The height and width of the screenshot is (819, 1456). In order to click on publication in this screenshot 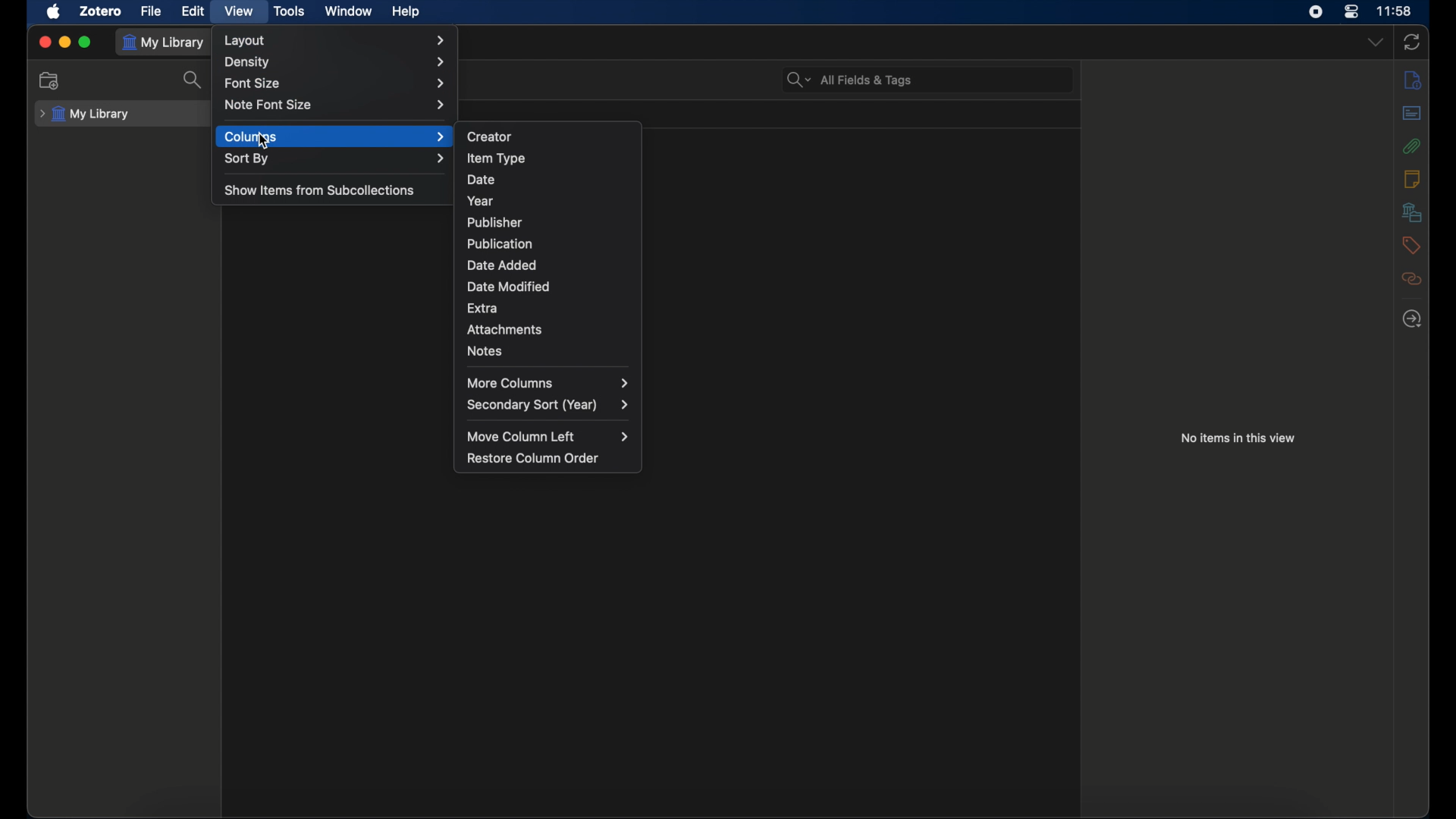, I will do `click(499, 243)`.